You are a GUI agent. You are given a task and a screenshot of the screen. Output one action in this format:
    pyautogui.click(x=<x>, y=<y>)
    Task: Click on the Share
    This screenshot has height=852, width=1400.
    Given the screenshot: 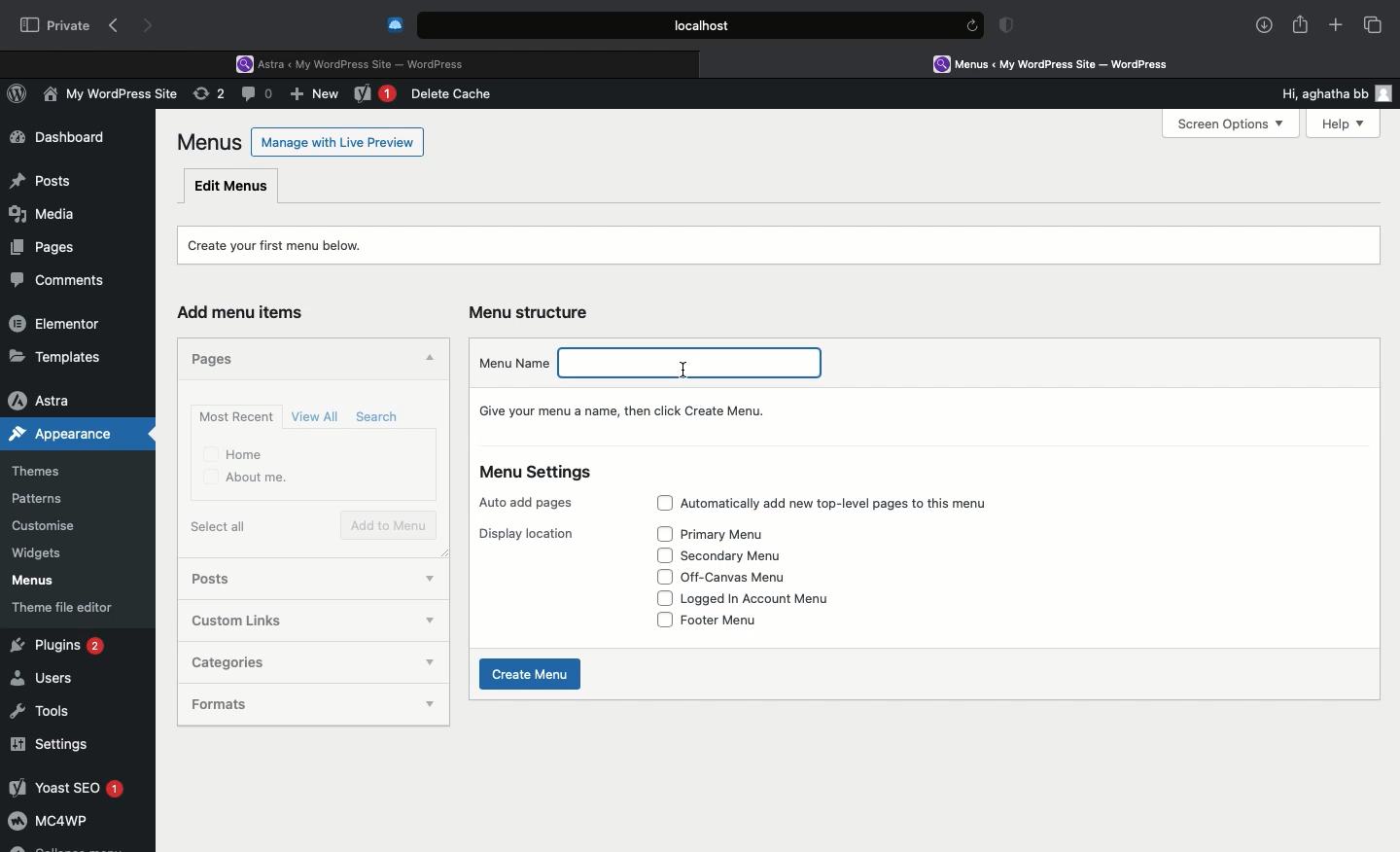 What is the action you would take?
    pyautogui.click(x=1301, y=25)
    